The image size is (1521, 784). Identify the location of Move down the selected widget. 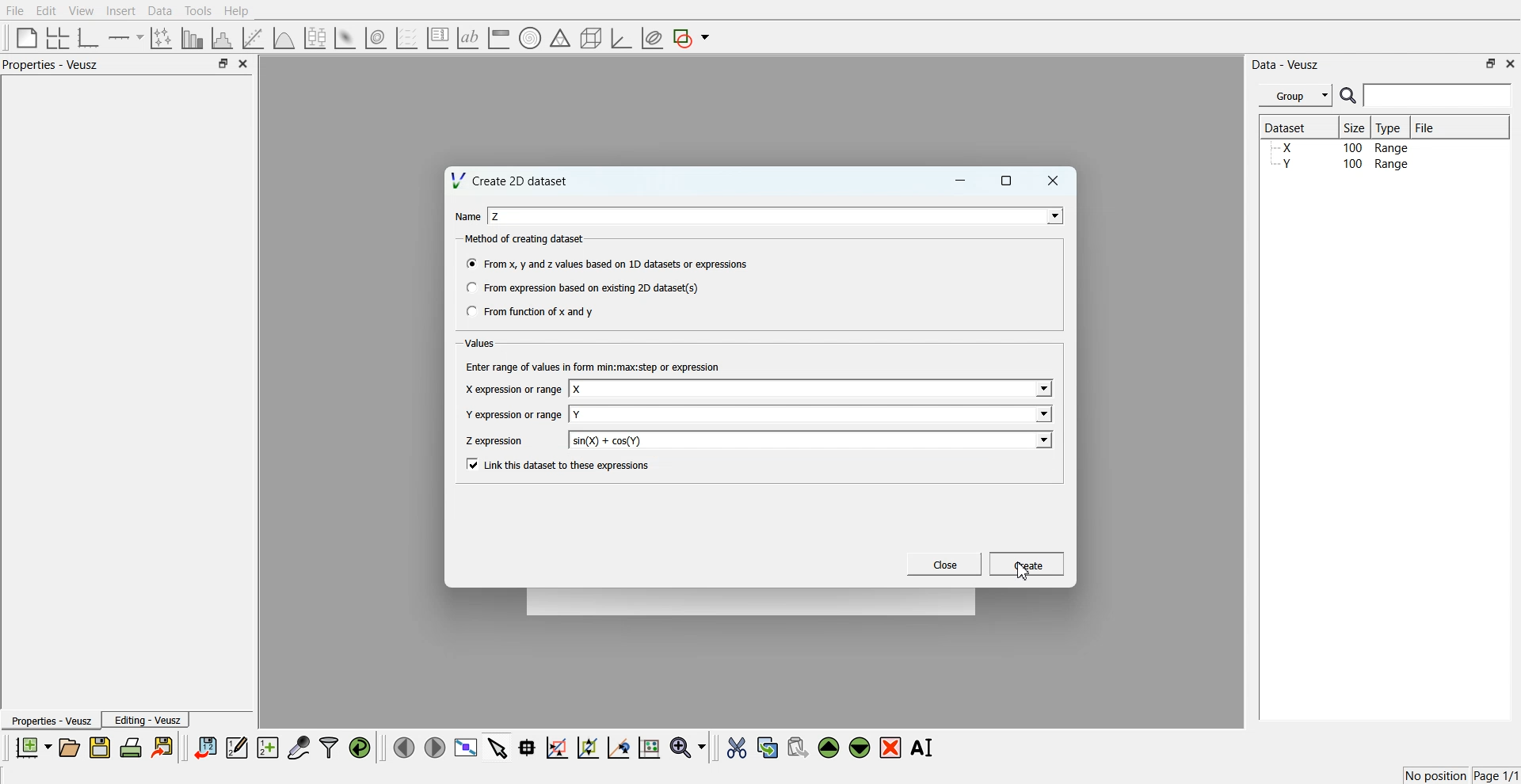
(860, 748).